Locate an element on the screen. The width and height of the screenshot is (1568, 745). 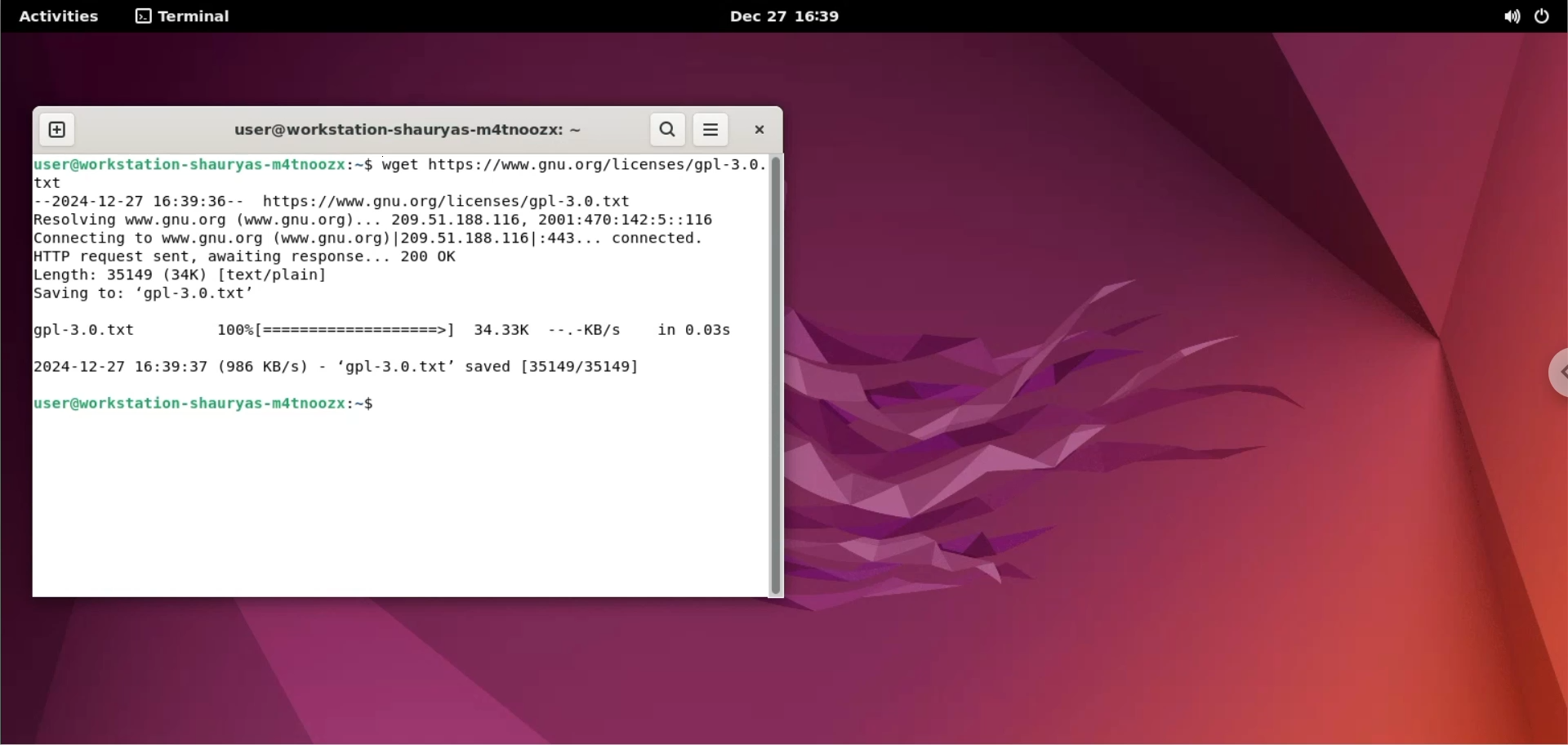
Volume is located at coordinates (1503, 16).